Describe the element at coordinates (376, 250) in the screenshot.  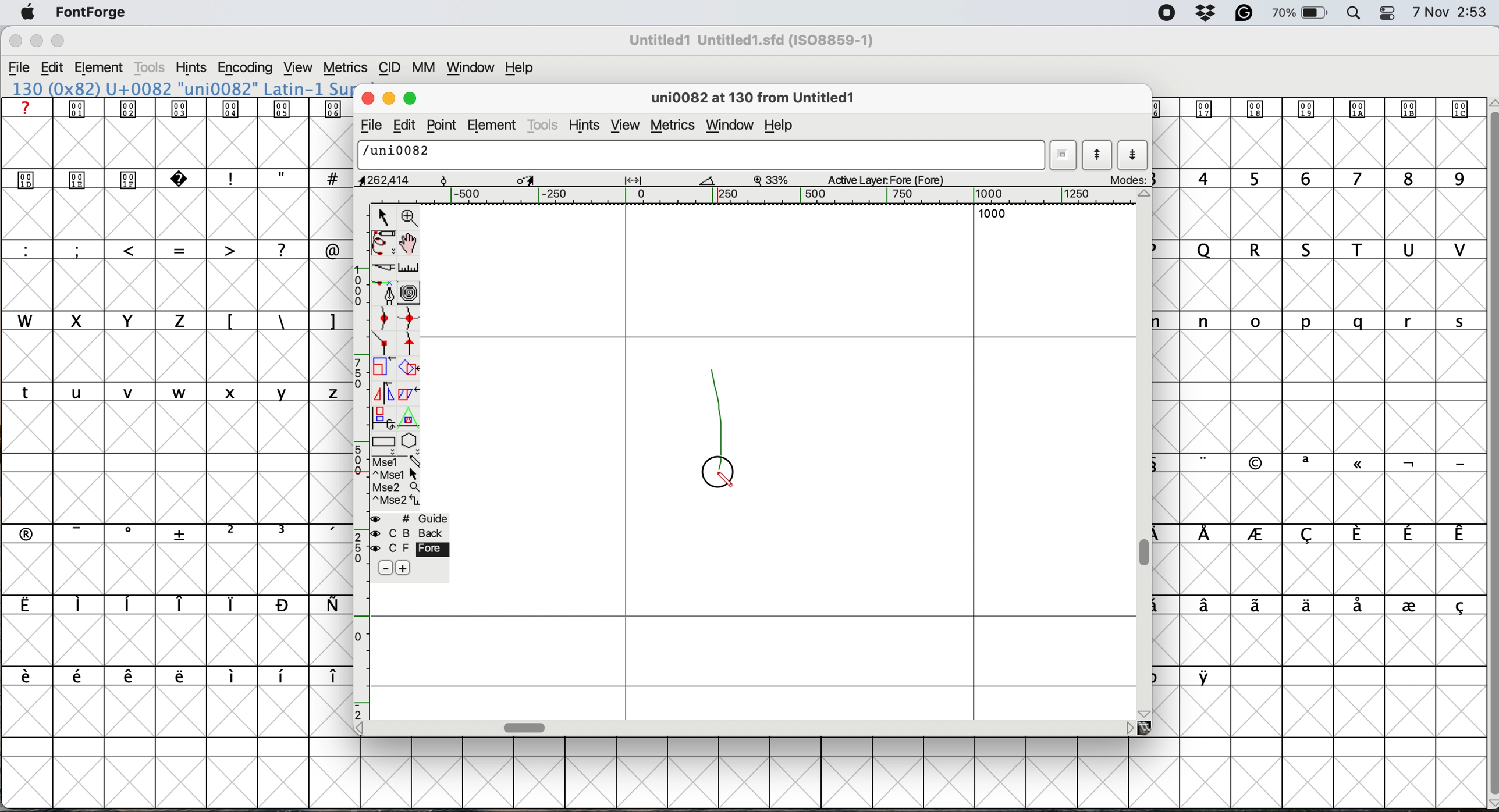
I see `uppercase letters` at that location.